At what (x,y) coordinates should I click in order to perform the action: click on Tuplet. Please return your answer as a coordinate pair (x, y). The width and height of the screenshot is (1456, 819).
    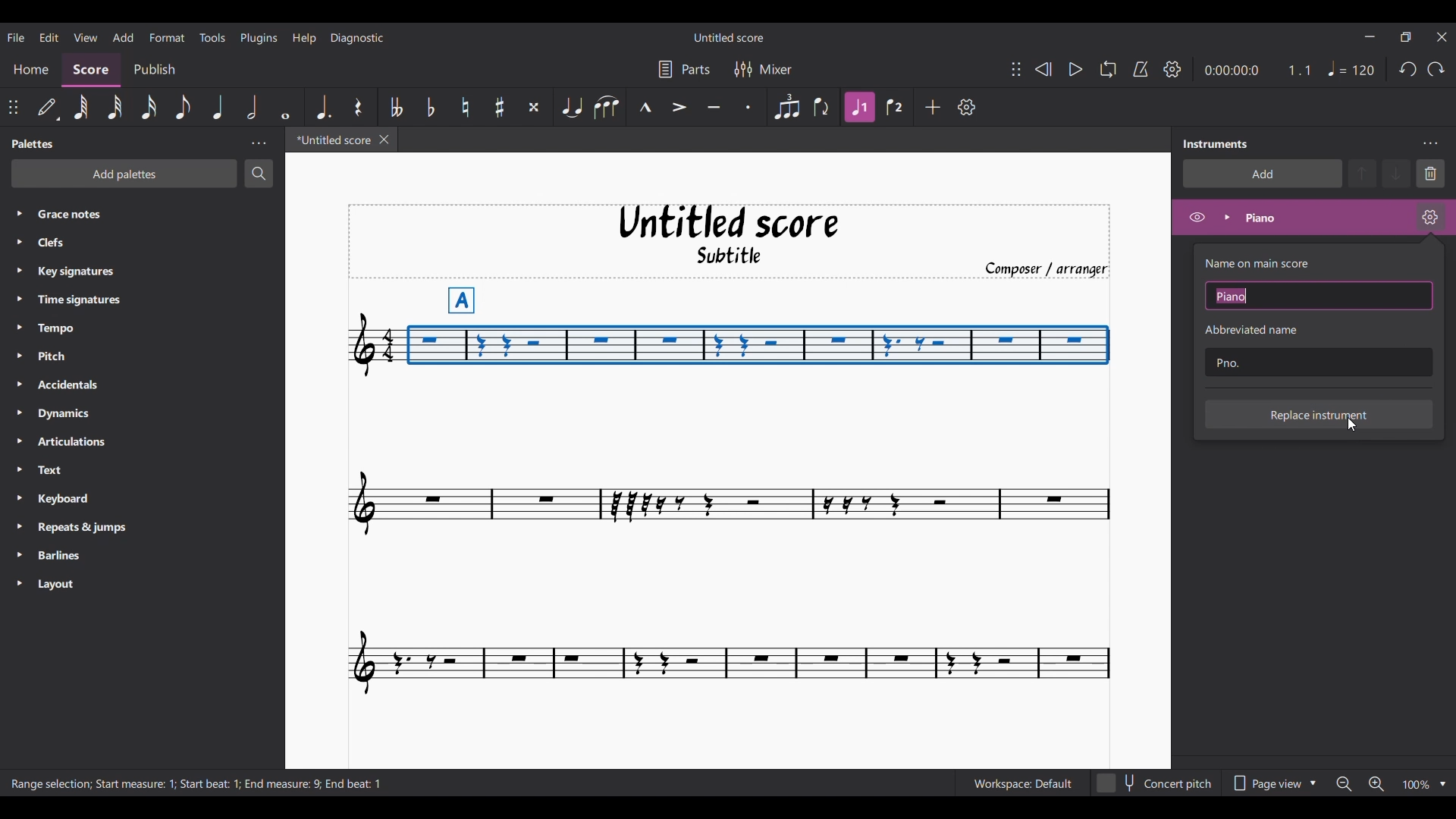
    Looking at the image, I should click on (787, 108).